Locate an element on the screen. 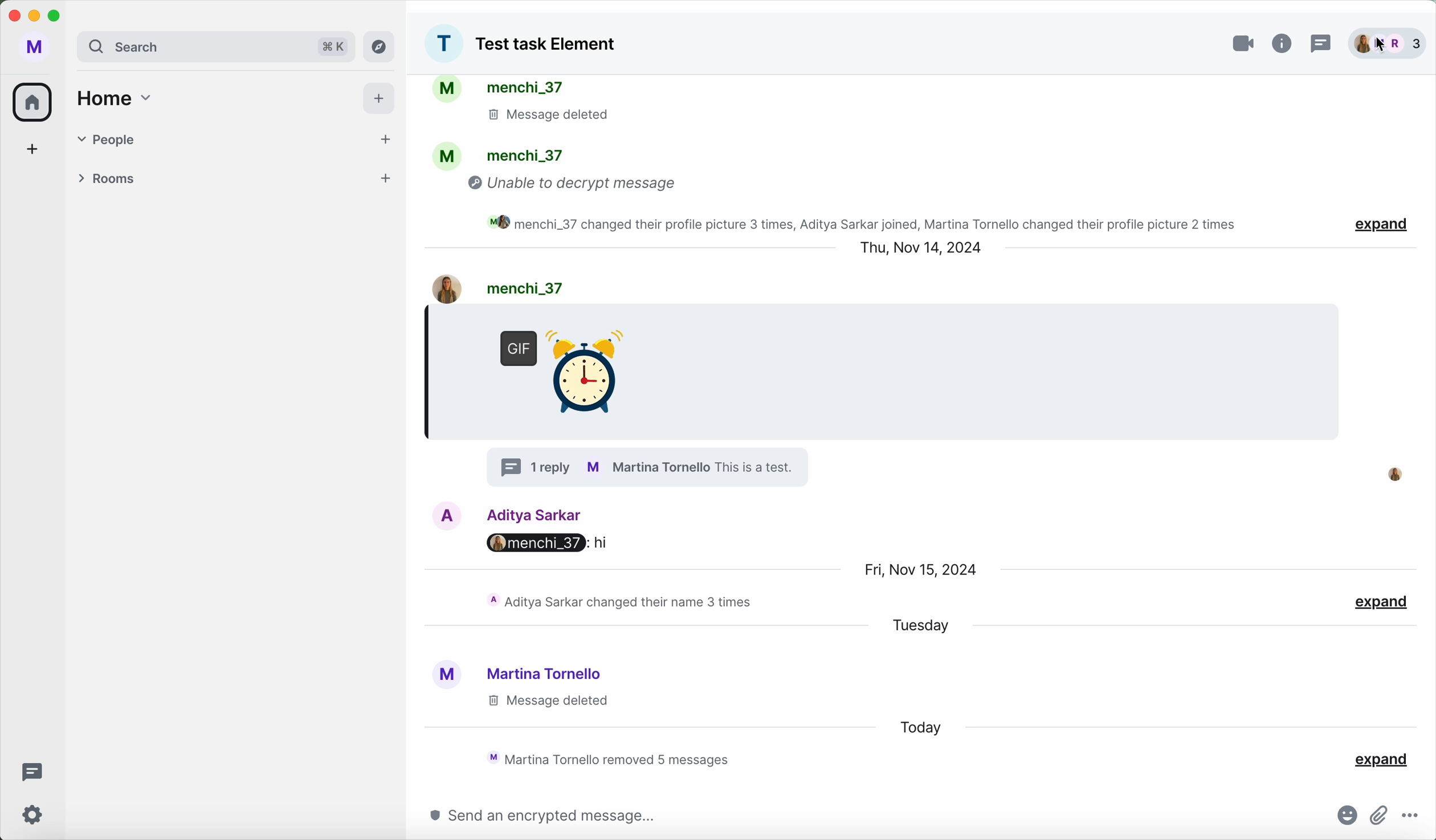 Image resolution: width=1436 pixels, height=840 pixels. profile is located at coordinates (448, 155).